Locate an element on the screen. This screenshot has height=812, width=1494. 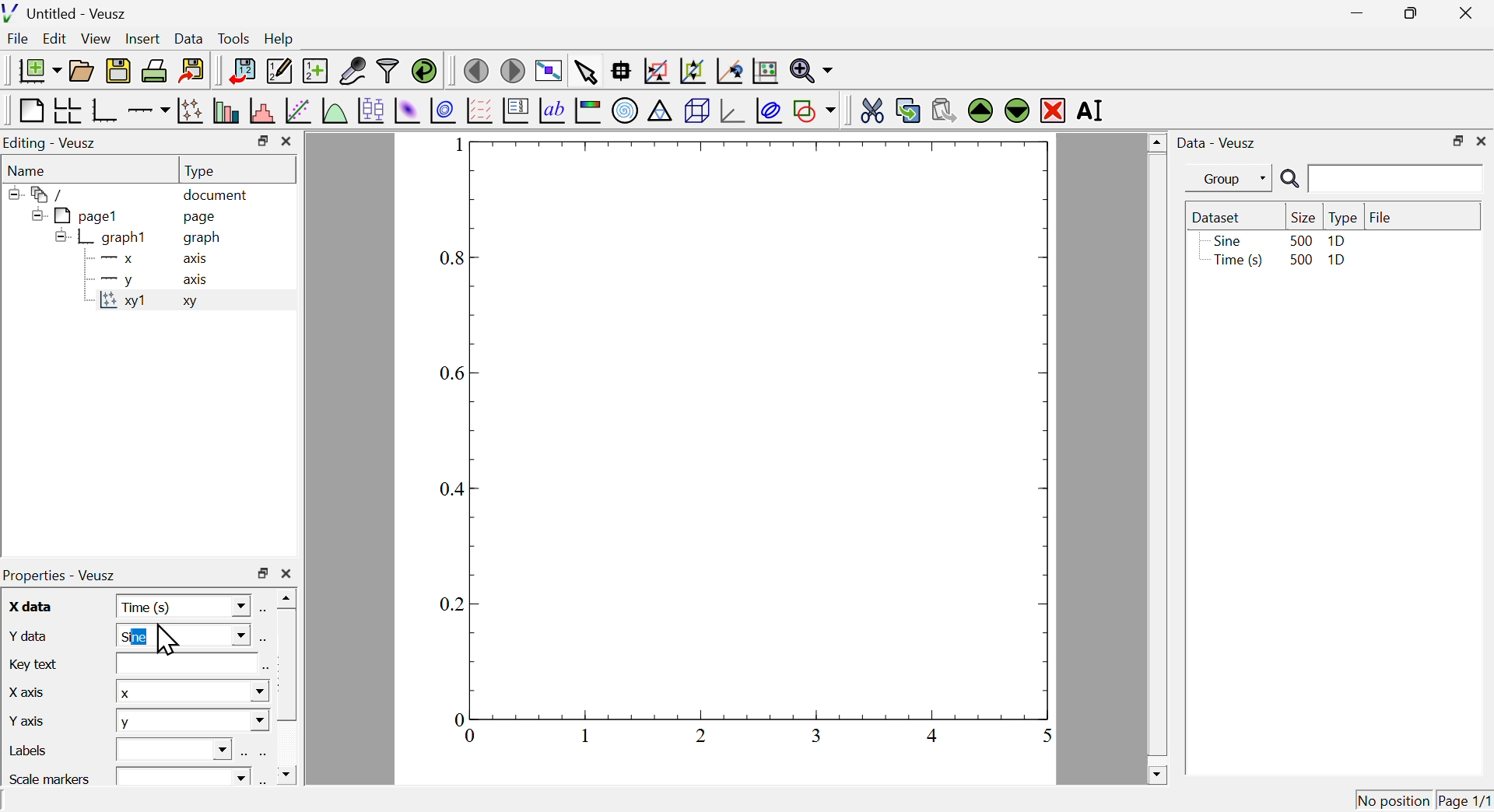
cursor is located at coordinates (167, 638).